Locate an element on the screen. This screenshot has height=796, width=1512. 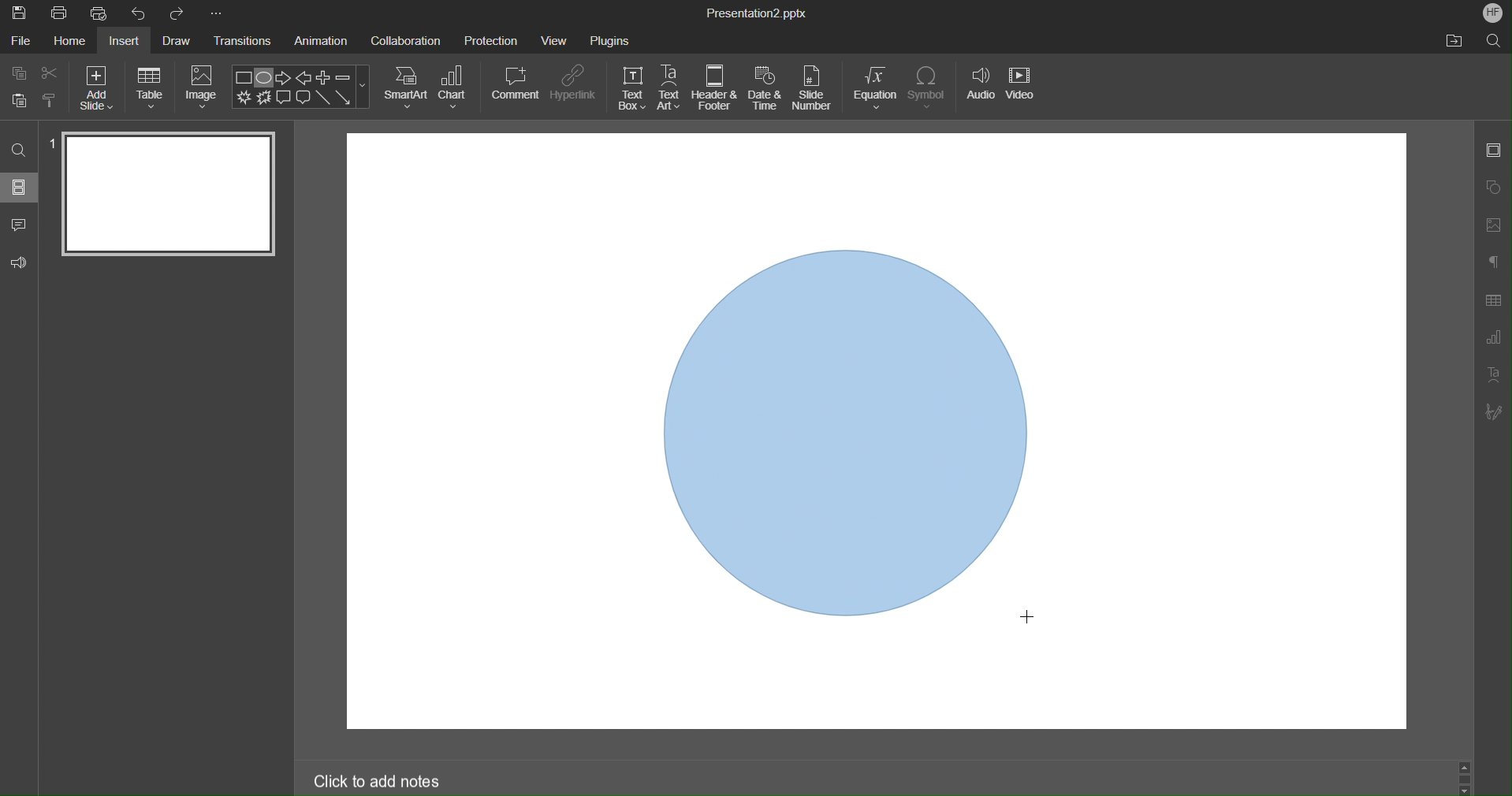
Text Art is located at coordinates (1495, 379).